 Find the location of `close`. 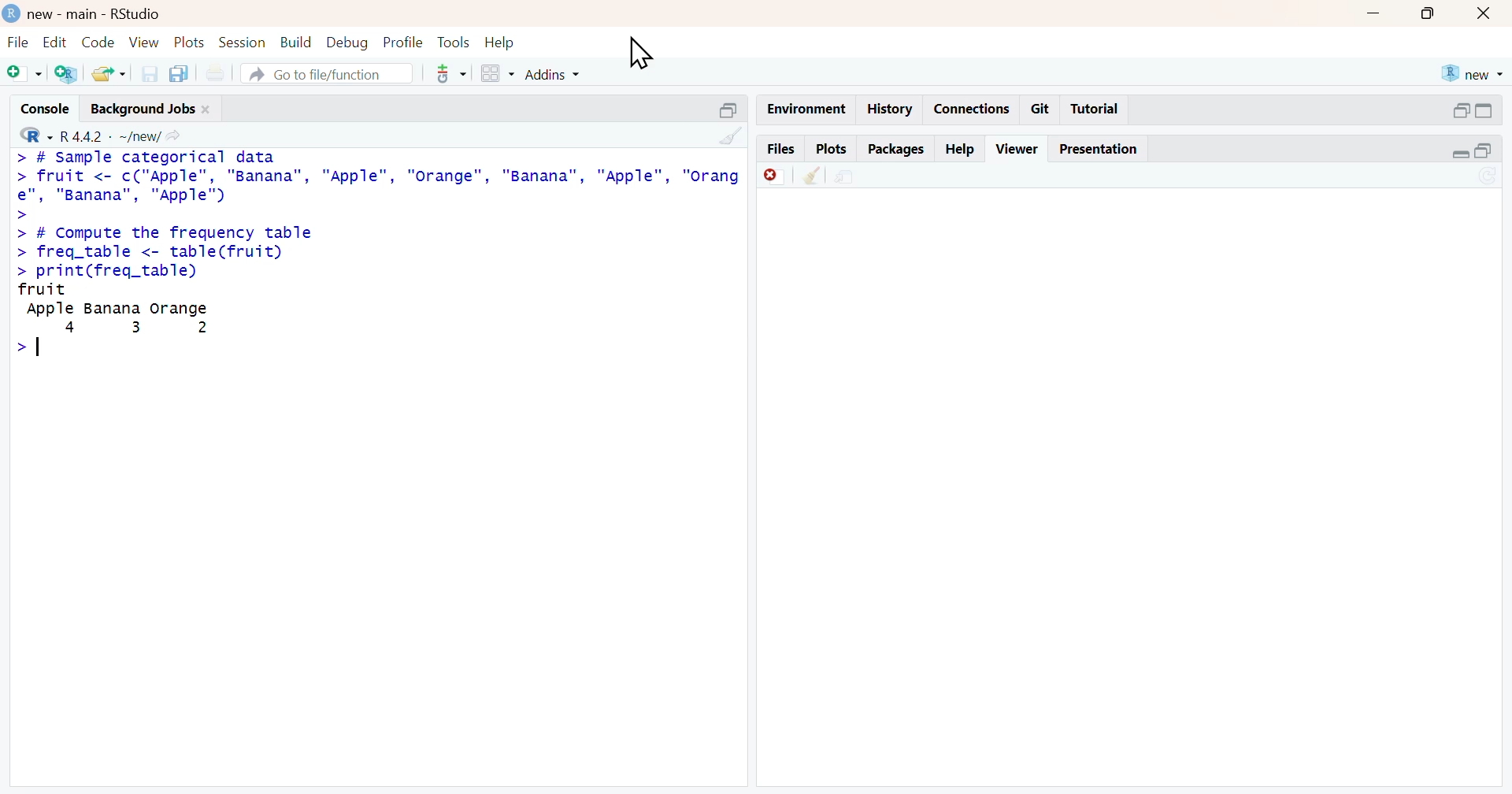

close is located at coordinates (1488, 15).